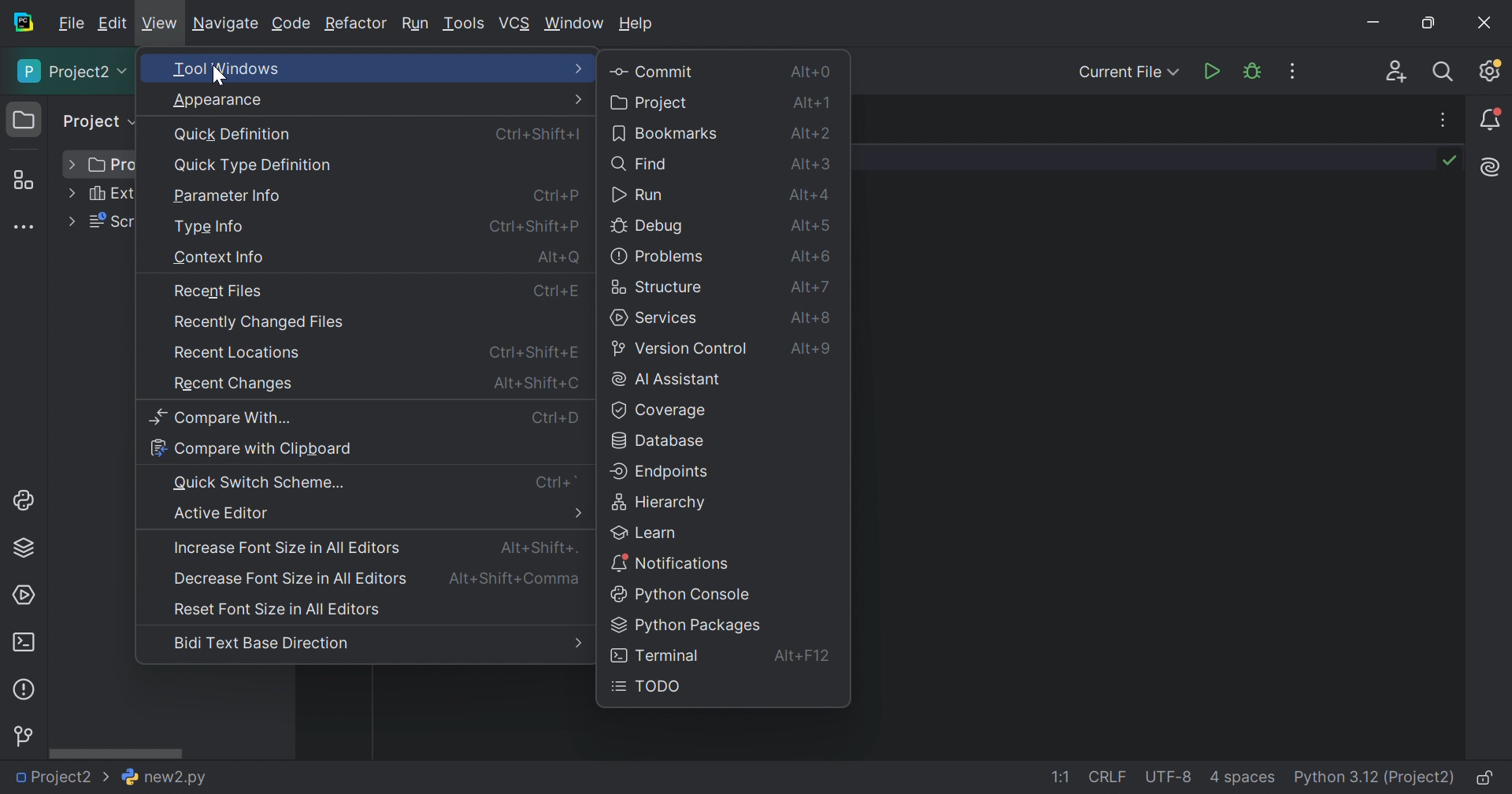  Describe the element at coordinates (665, 381) in the screenshot. I see `AI Assistant` at that location.